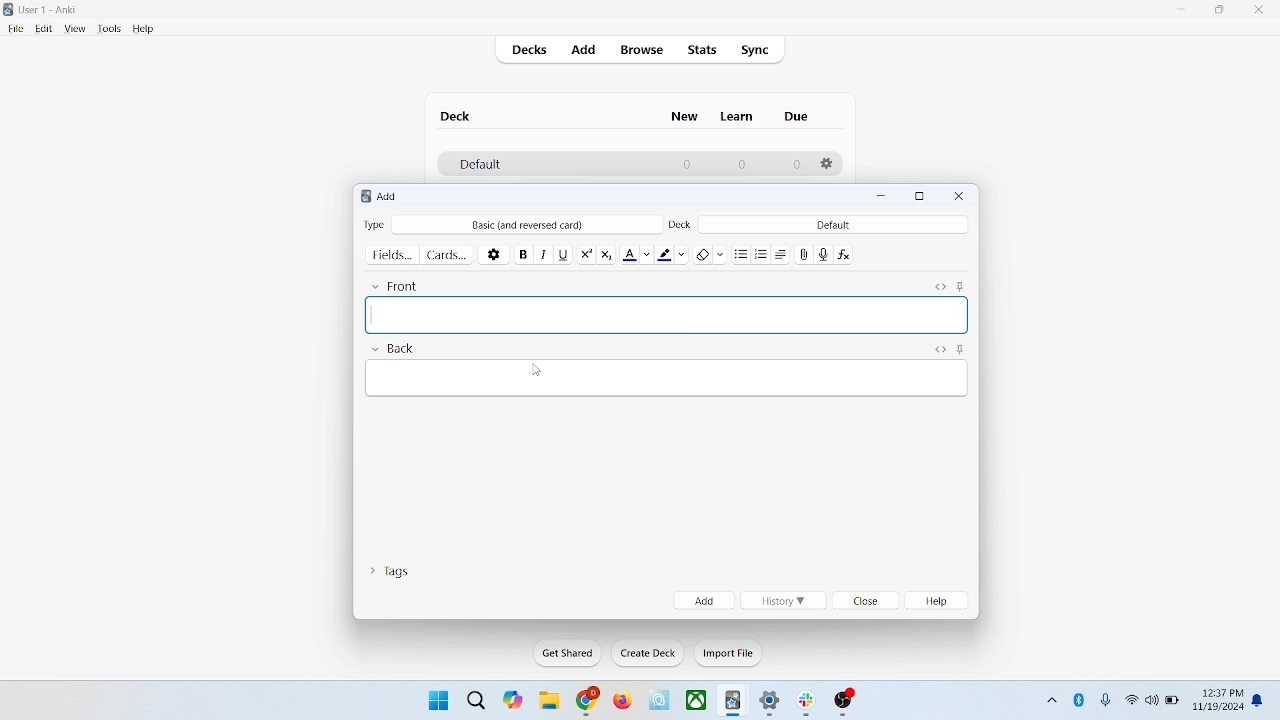 Image resolution: width=1280 pixels, height=720 pixels. I want to click on sync, so click(756, 51).